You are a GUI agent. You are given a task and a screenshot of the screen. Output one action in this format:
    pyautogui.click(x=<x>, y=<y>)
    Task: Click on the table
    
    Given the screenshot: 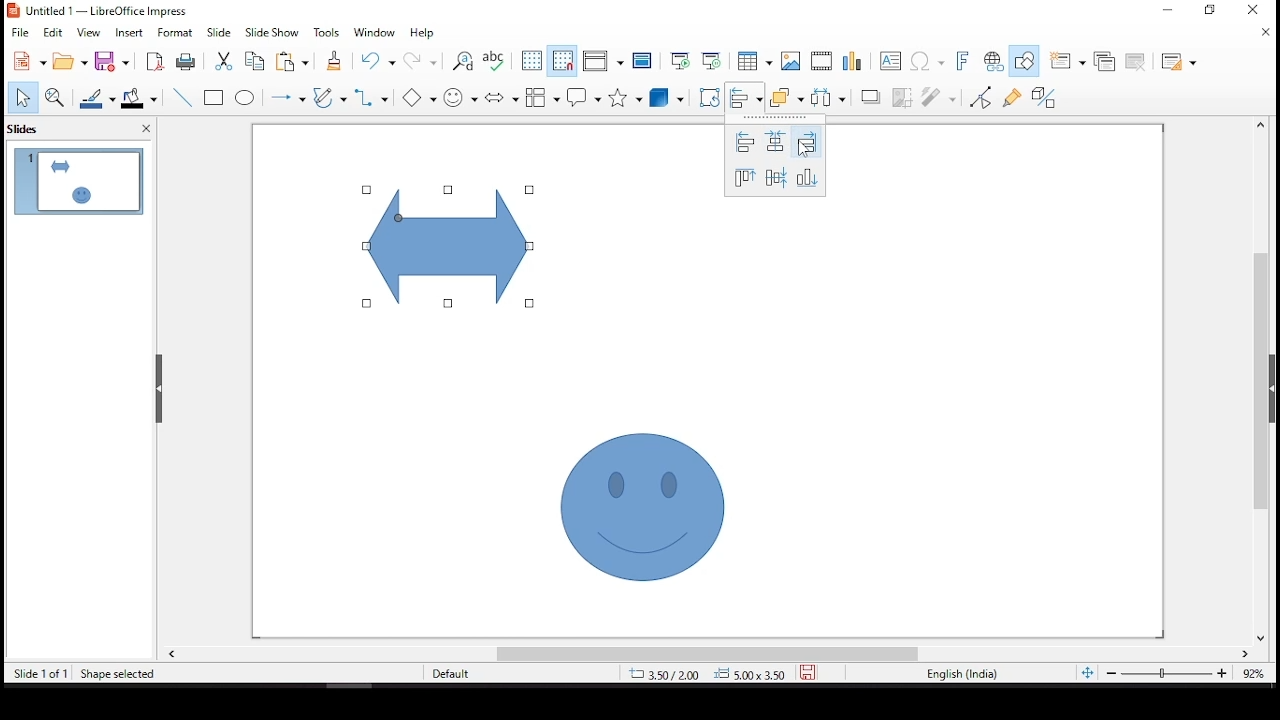 What is the action you would take?
    pyautogui.click(x=755, y=62)
    